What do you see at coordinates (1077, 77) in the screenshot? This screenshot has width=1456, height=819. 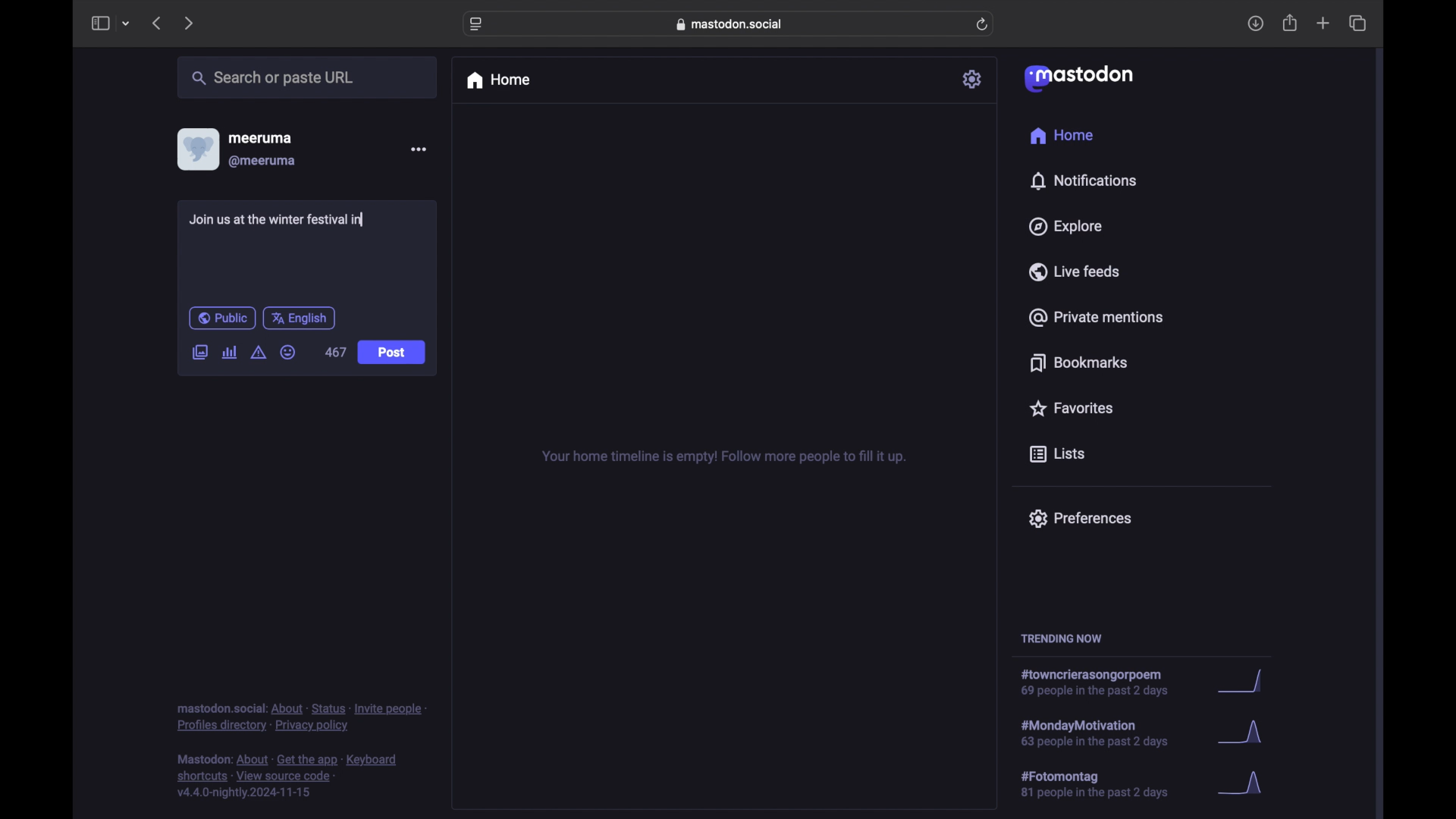 I see `mastodon` at bounding box center [1077, 77].